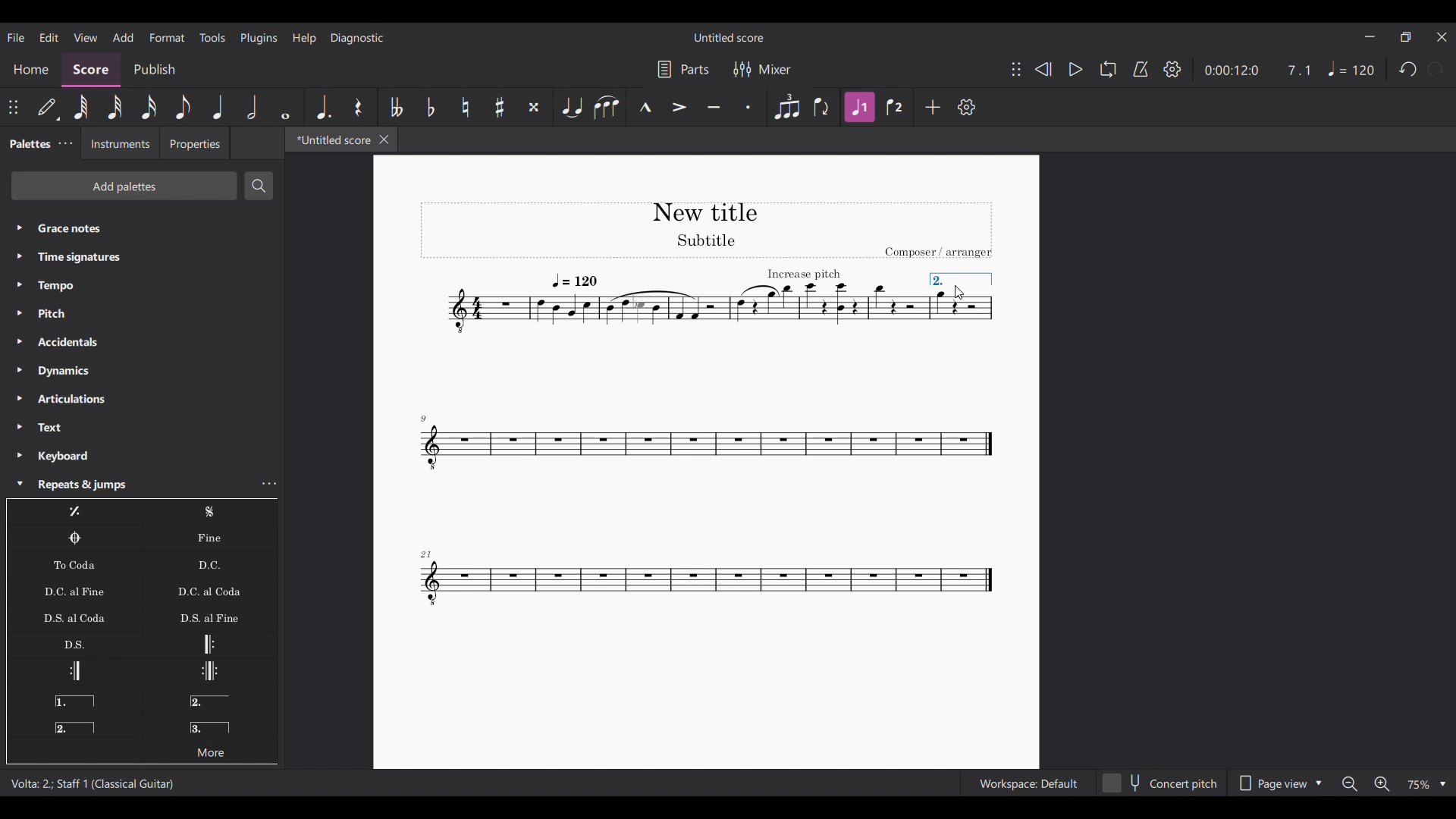 This screenshot has width=1456, height=819. Describe the element at coordinates (74, 698) in the screenshot. I see `Prima volta` at that location.